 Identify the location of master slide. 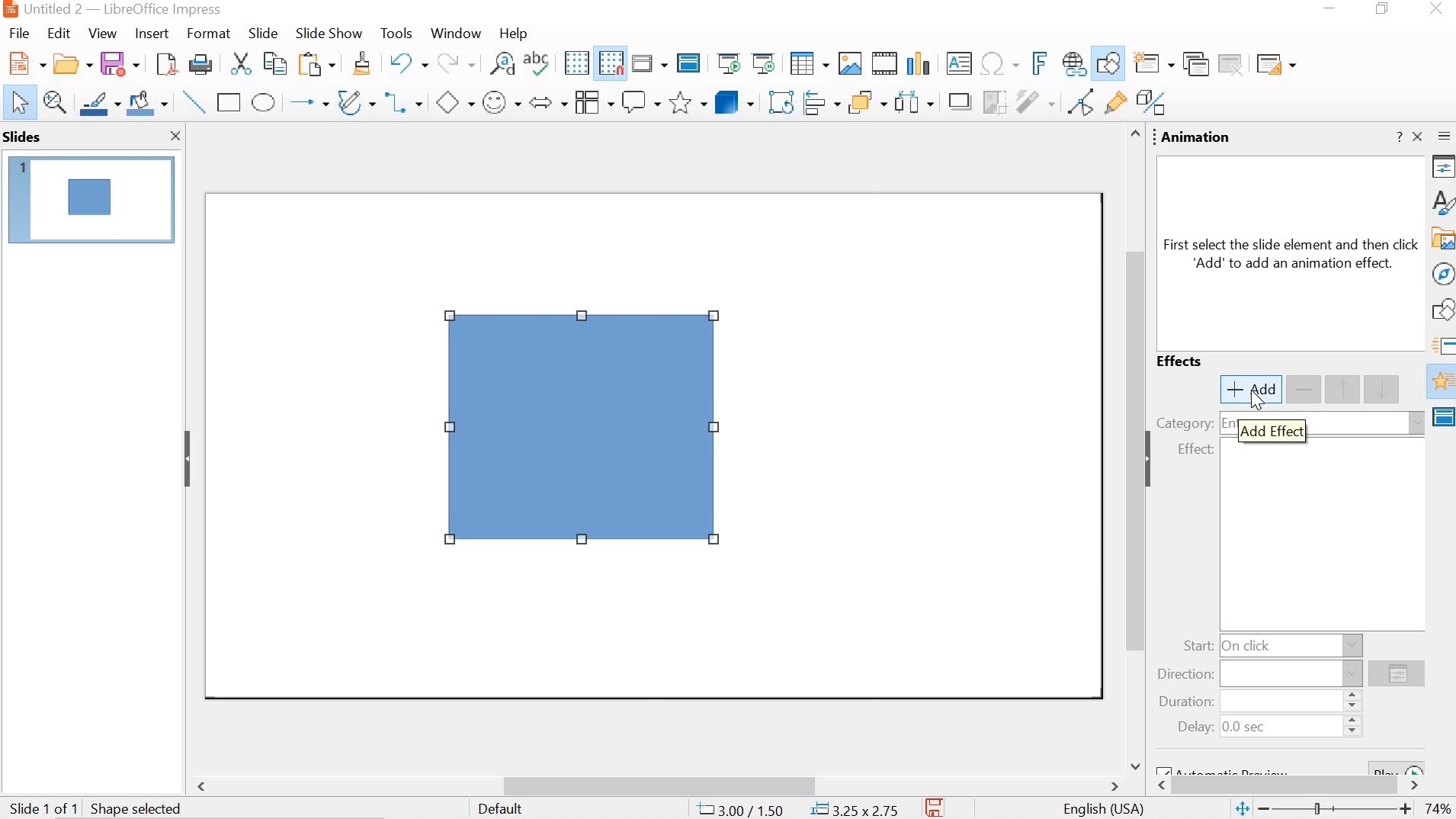
(689, 64).